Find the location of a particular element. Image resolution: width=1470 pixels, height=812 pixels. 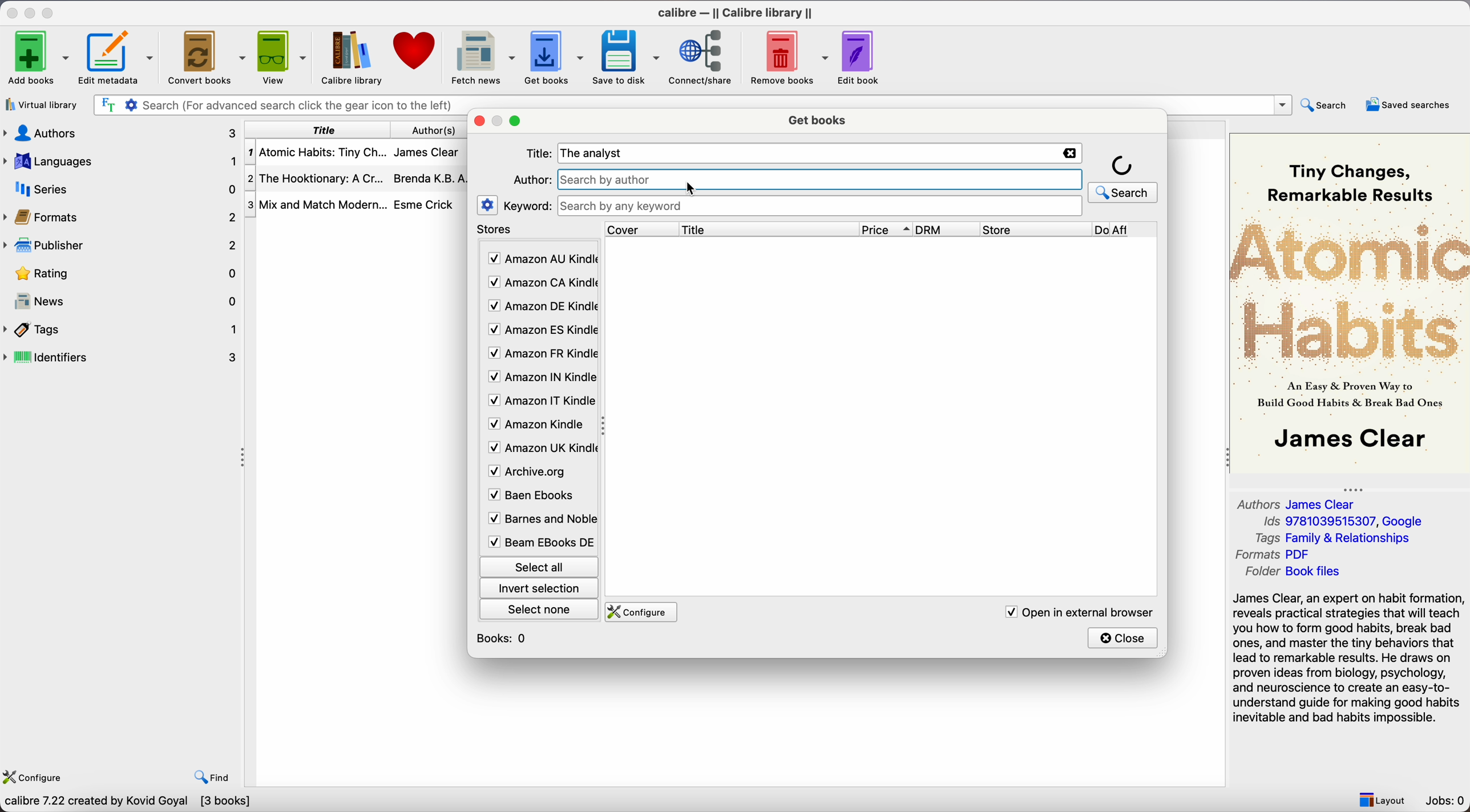

Do Aff is located at coordinates (1125, 230).